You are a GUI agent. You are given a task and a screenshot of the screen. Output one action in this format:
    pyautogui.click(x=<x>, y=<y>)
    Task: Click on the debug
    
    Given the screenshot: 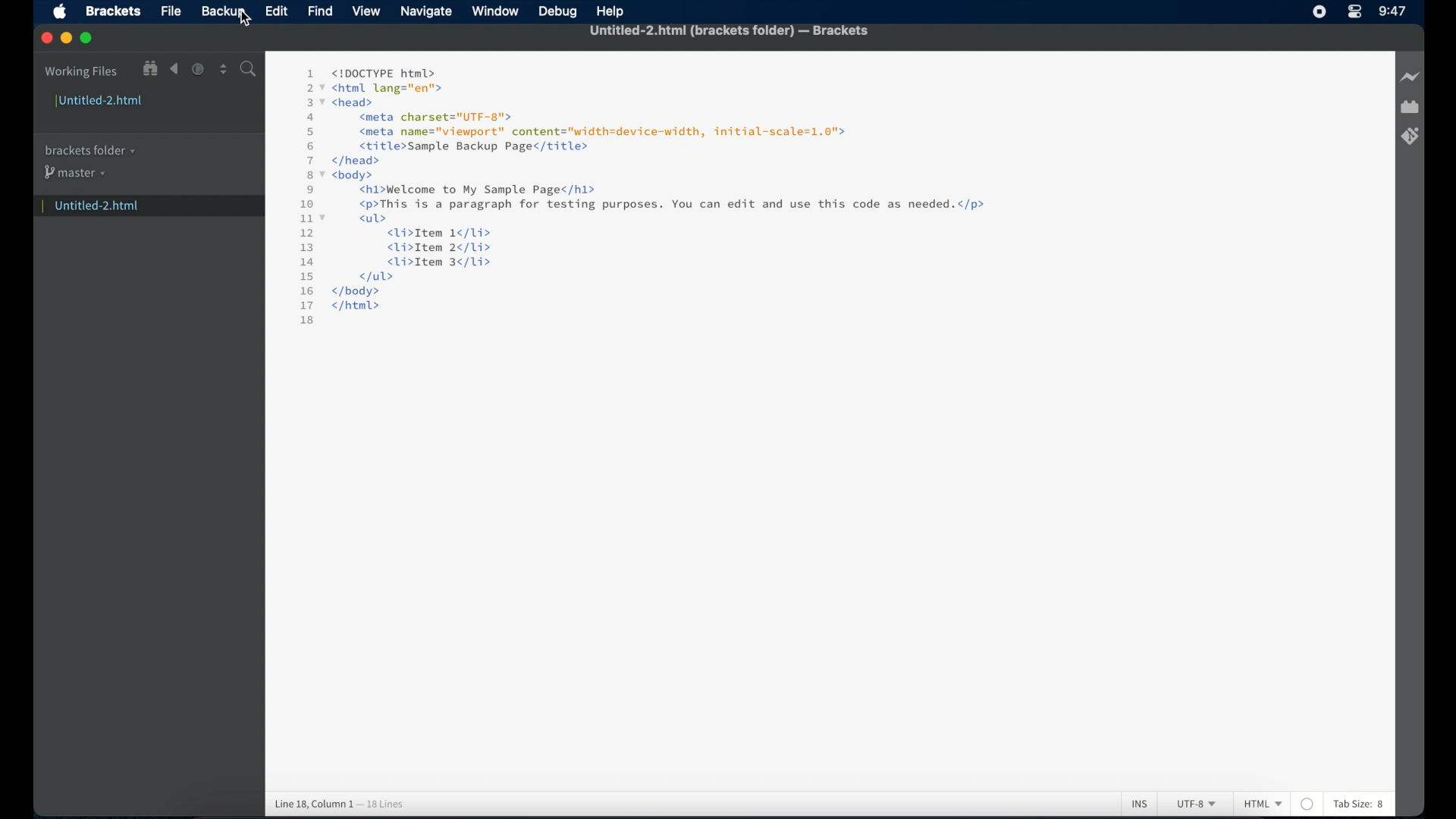 What is the action you would take?
    pyautogui.click(x=556, y=12)
    